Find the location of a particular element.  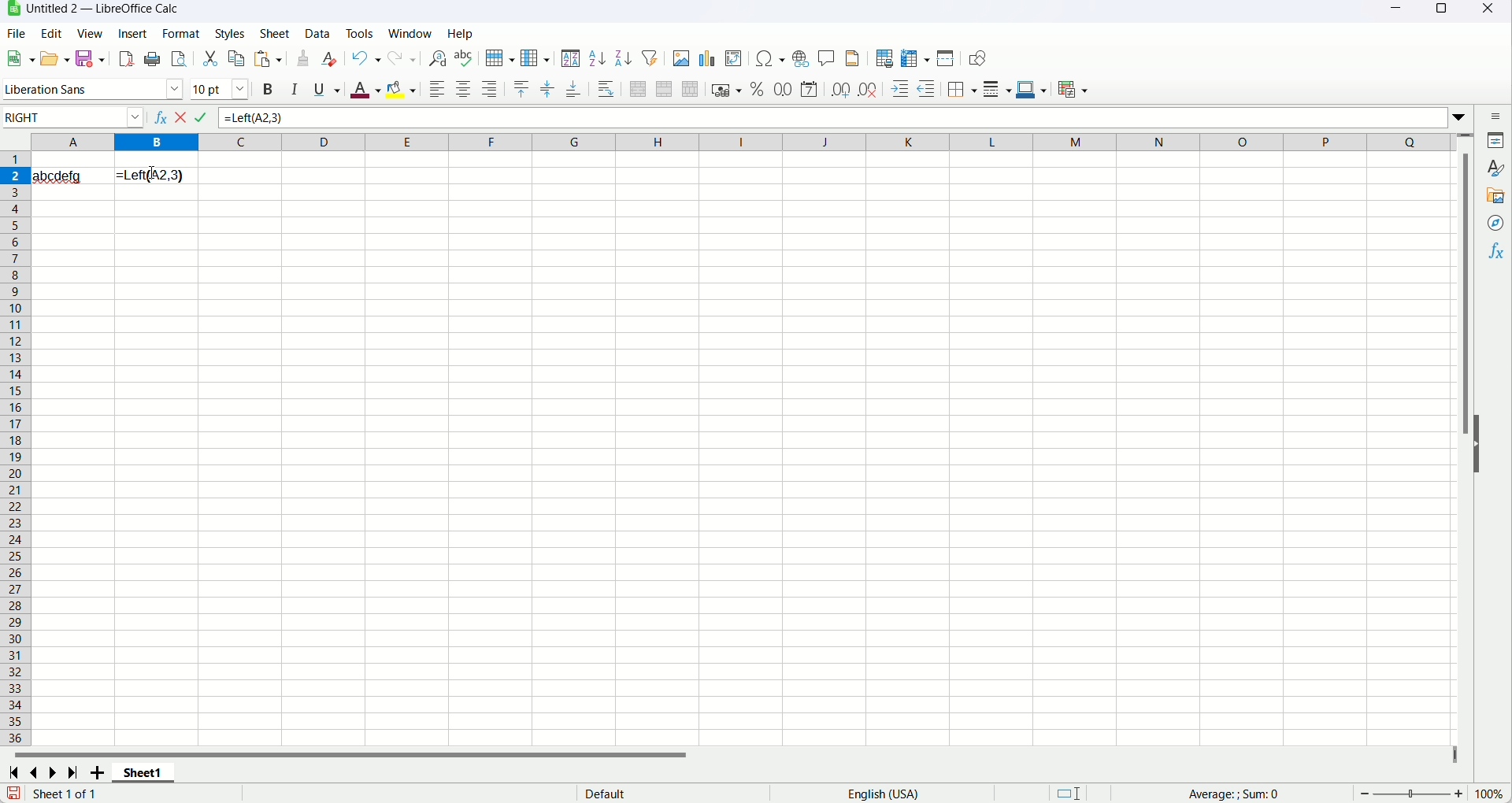

export directly as PDF is located at coordinates (125, 59).